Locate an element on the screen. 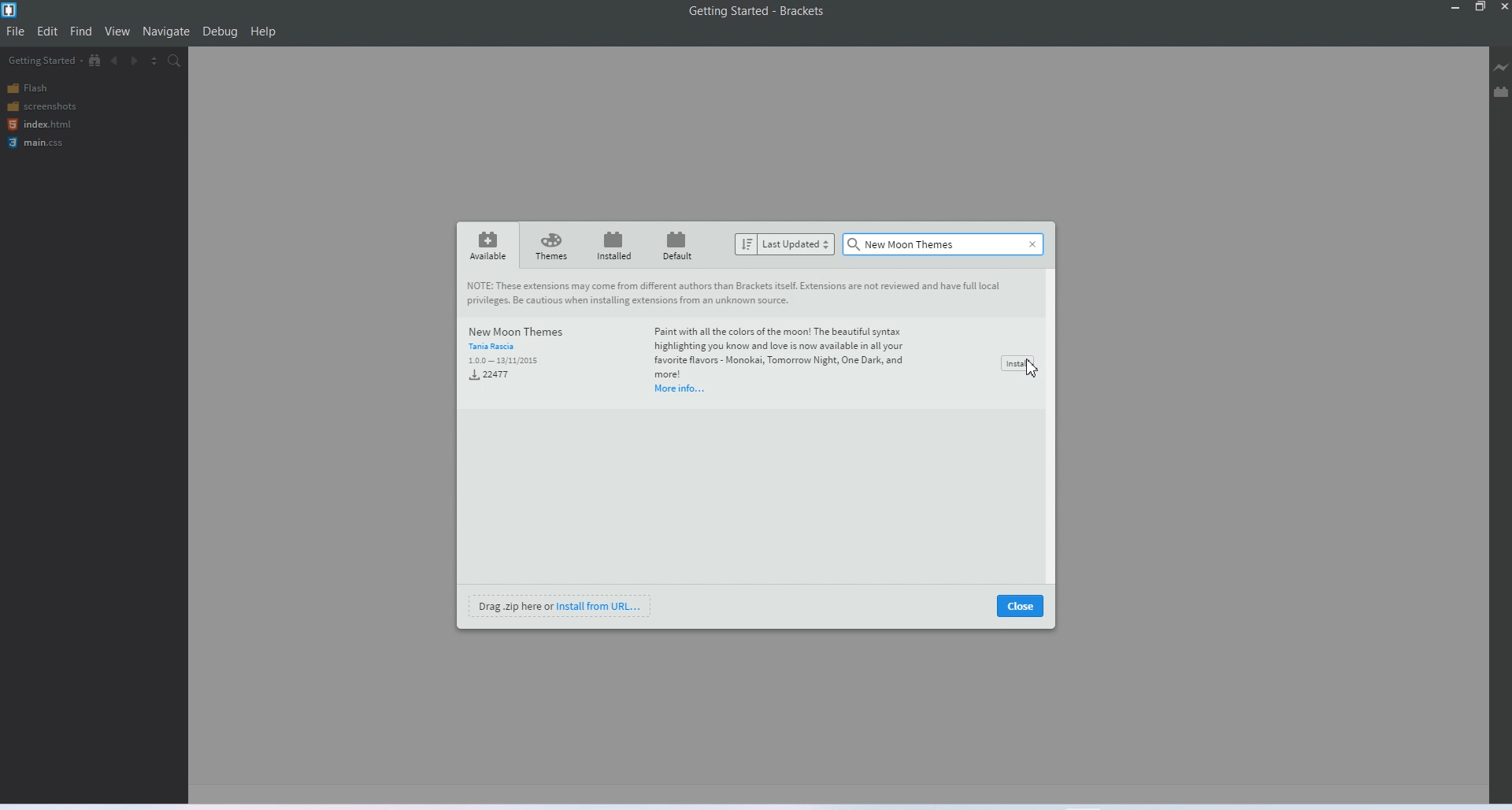  Available is located at coordinates (487, 244).